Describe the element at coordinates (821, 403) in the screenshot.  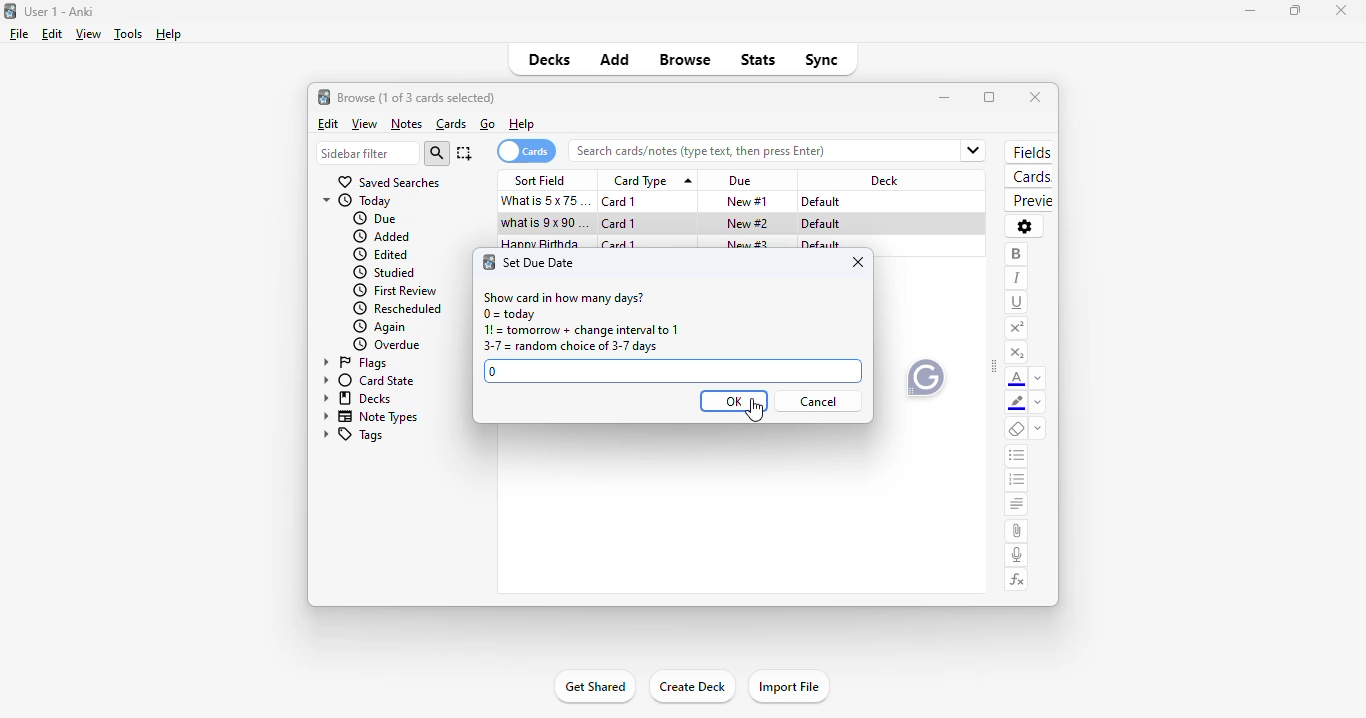
I see `cancel` at that location.